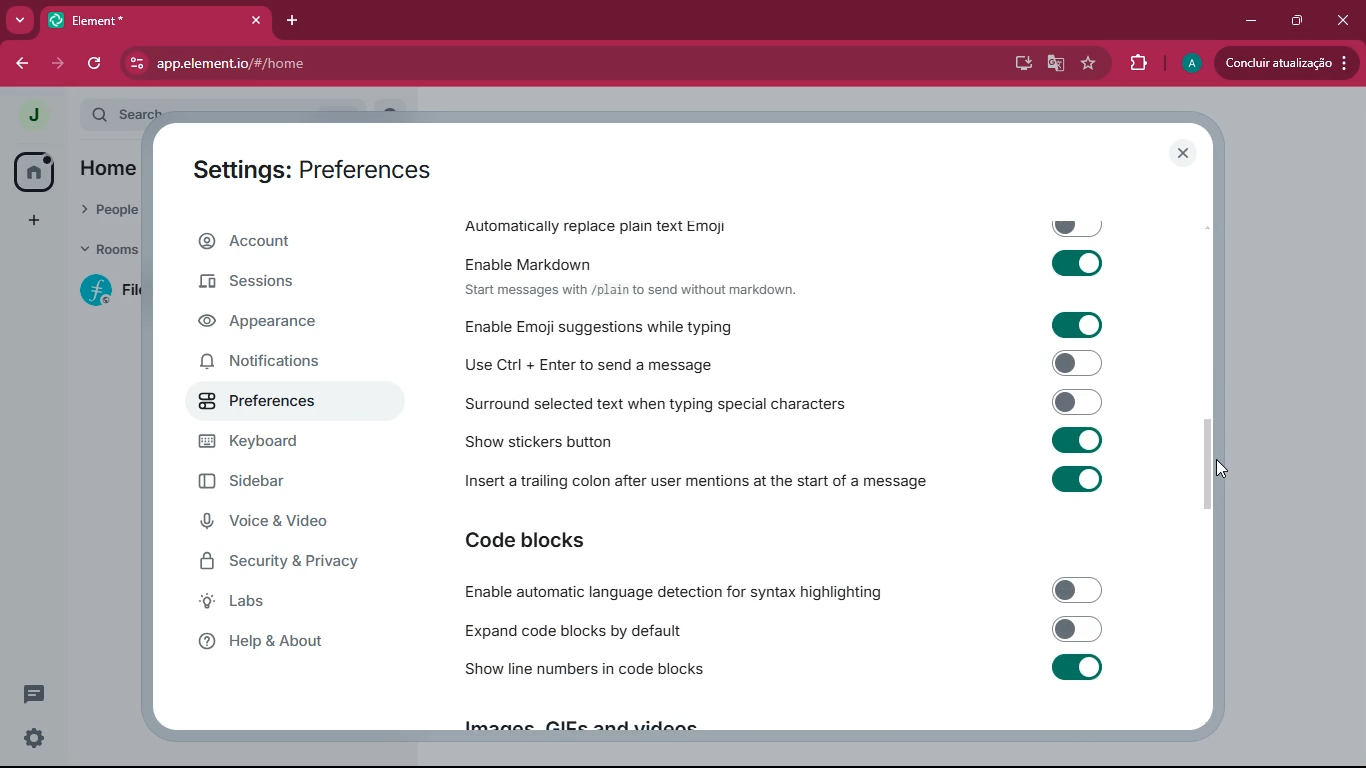 The width and height of the screenshot is (1366, 768). What do you see at coordinates (278, 481) in the screenshot?
I see `sidebar` at bounding box center [278, 481].